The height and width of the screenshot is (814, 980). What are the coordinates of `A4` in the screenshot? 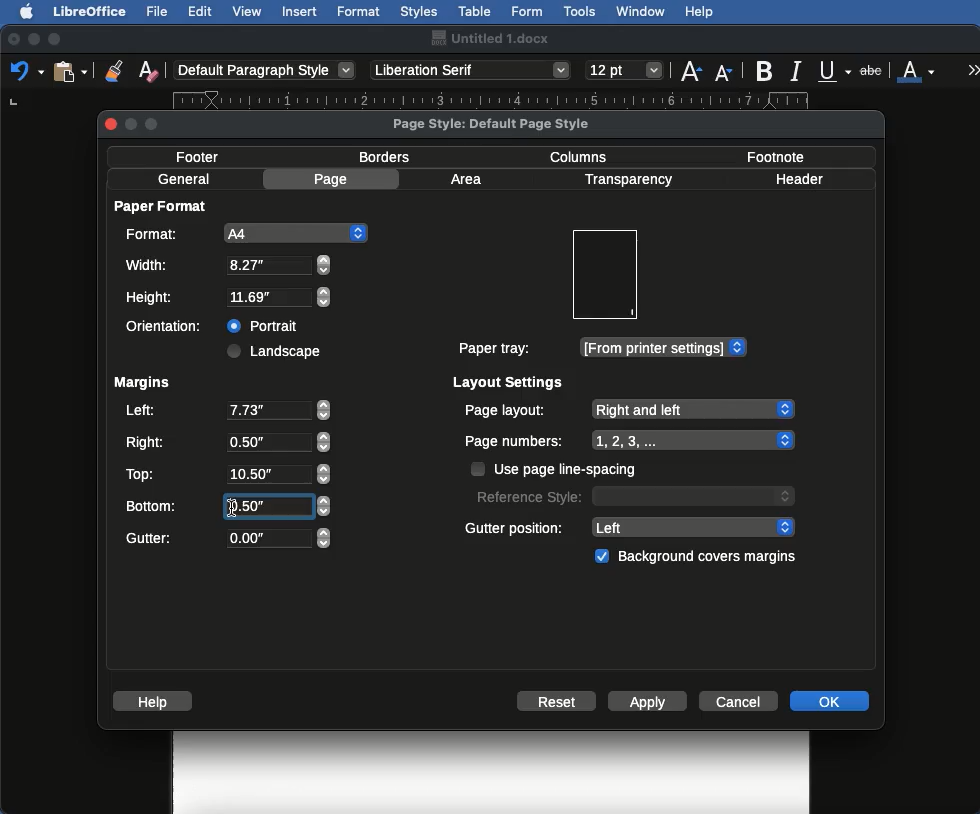 It's located at (243, 233).